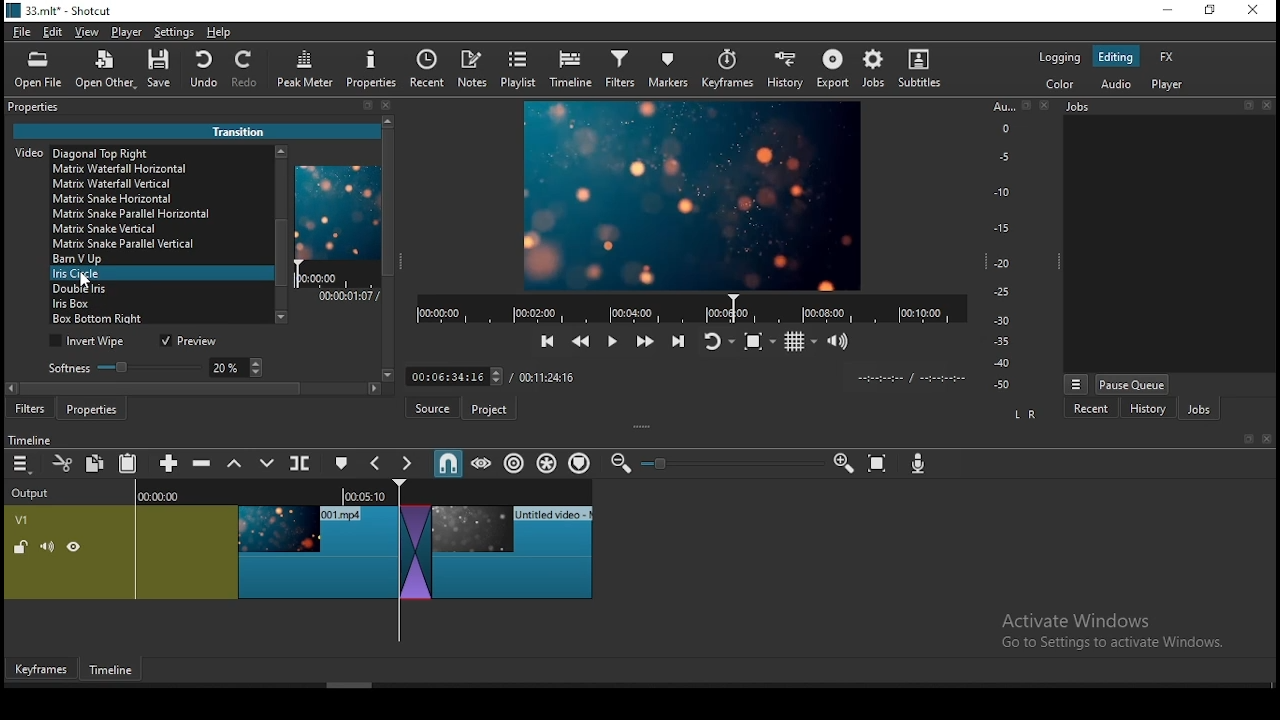  Describe the element at coordinates (21, 464) in the screenshot. I see `menu` at that location.